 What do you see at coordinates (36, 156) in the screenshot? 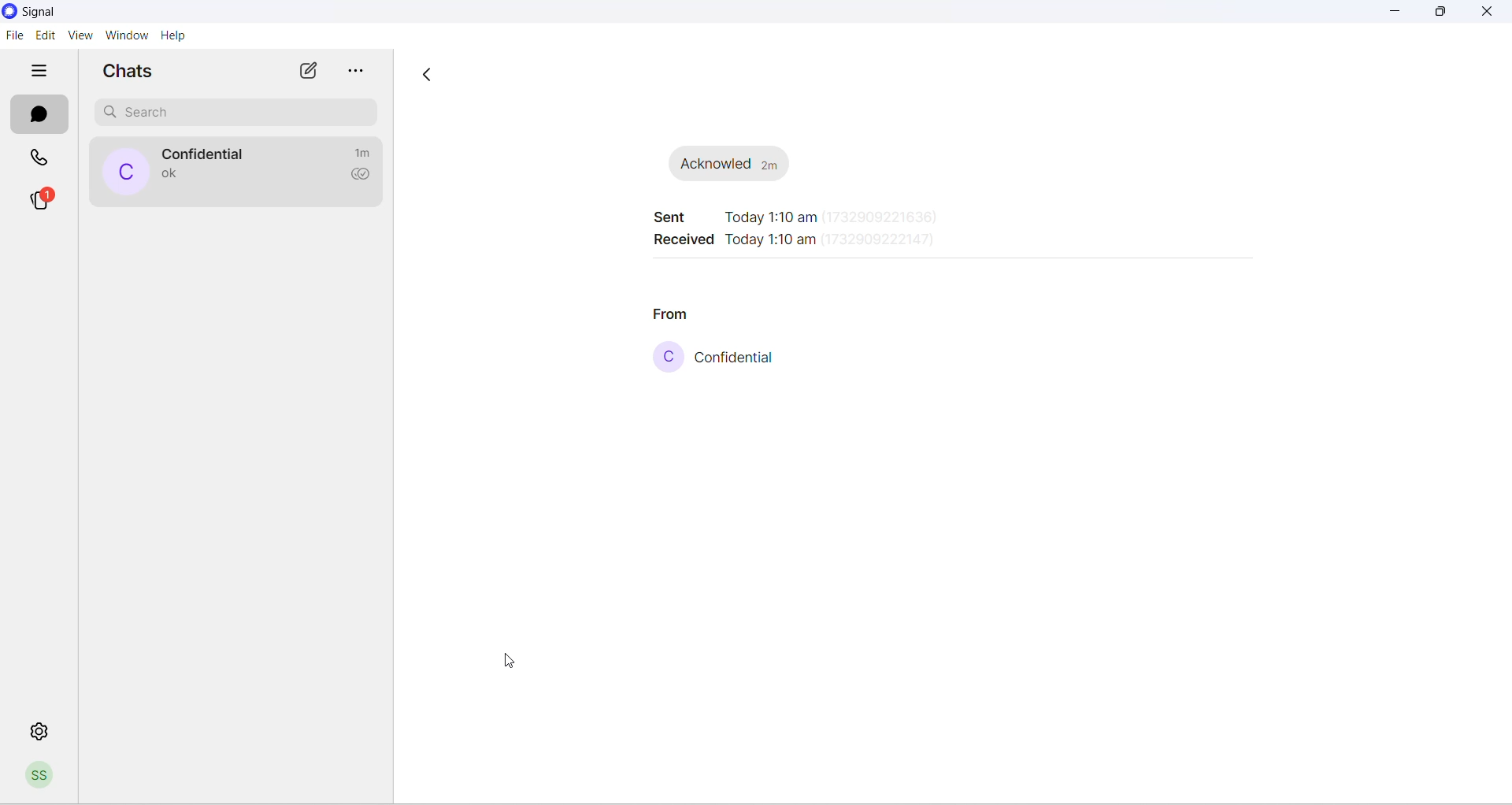
I see `calls` at bounding box center [36, 156].